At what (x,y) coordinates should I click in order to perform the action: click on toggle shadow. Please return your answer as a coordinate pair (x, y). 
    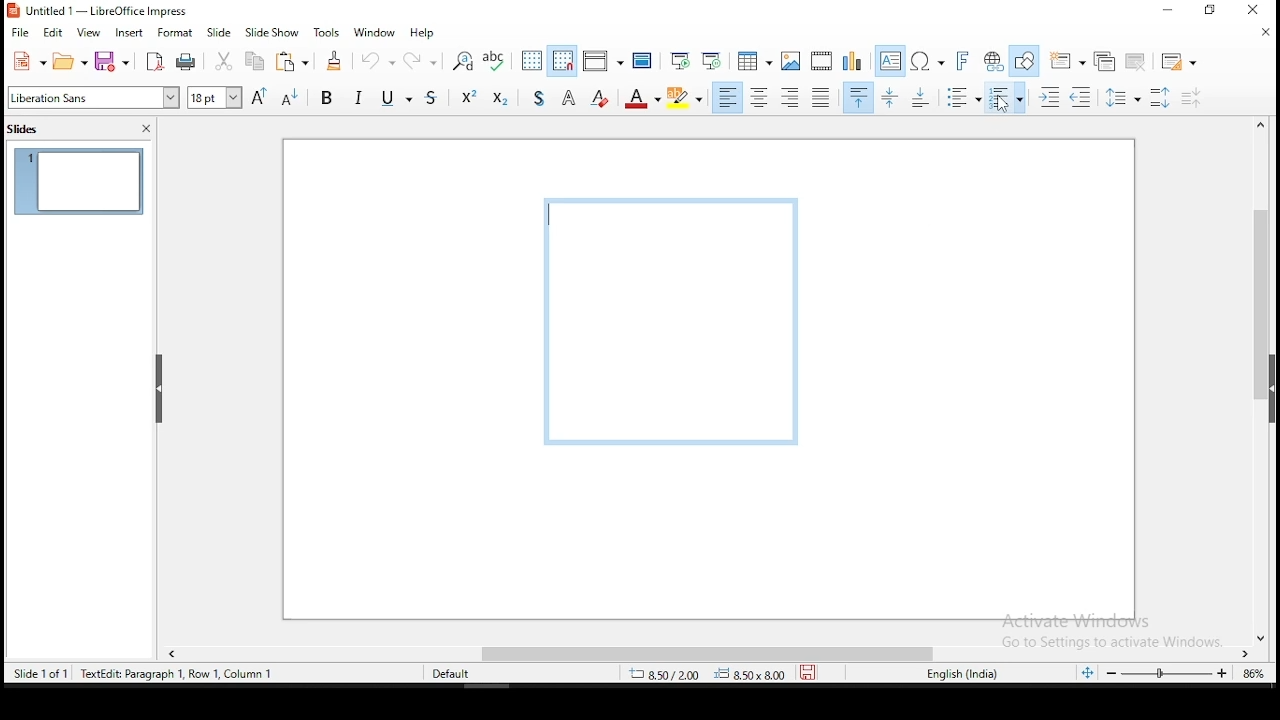
    Looking at the image, I should click on (543, 98).